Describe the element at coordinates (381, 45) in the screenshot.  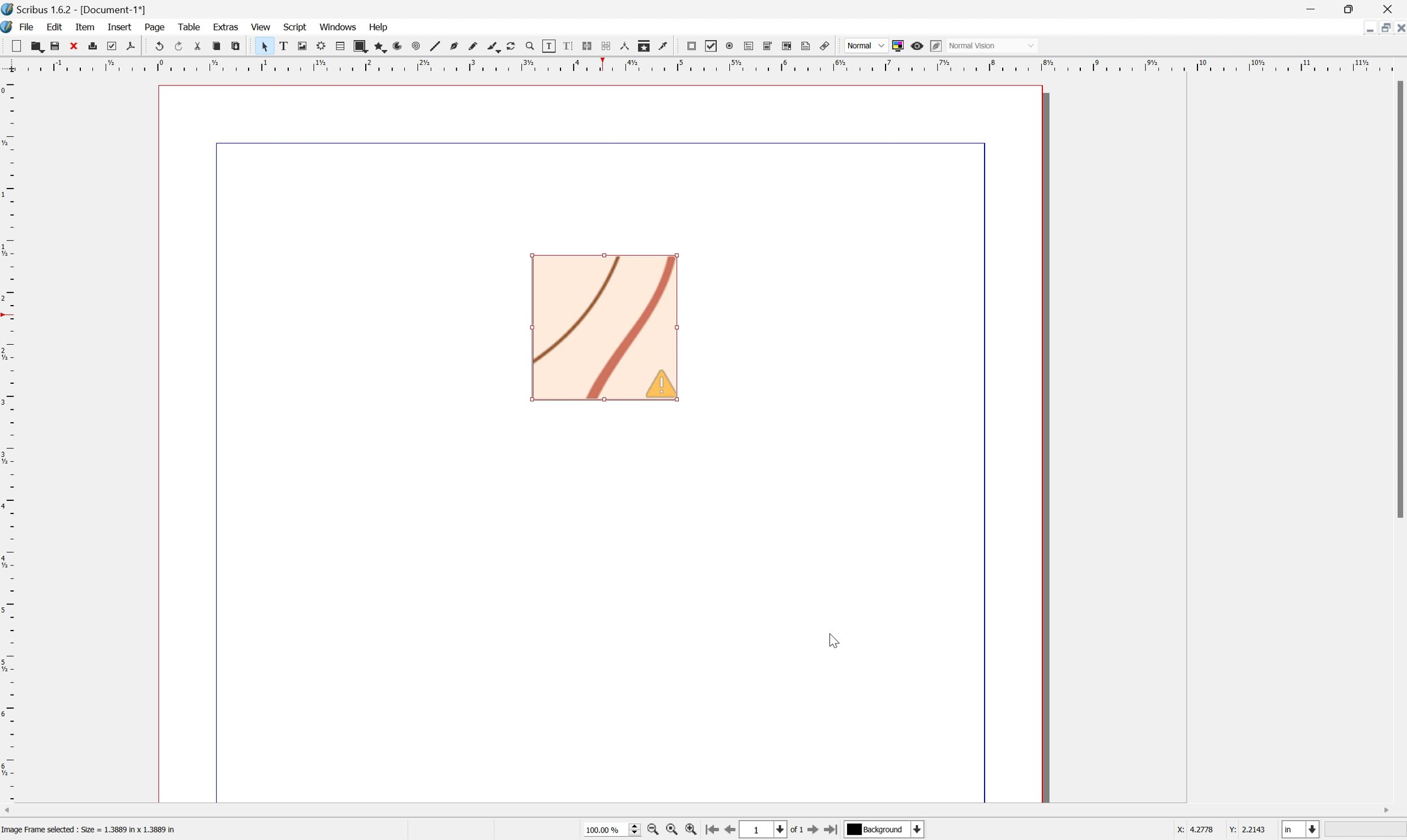
I see `Polygon` at that location.